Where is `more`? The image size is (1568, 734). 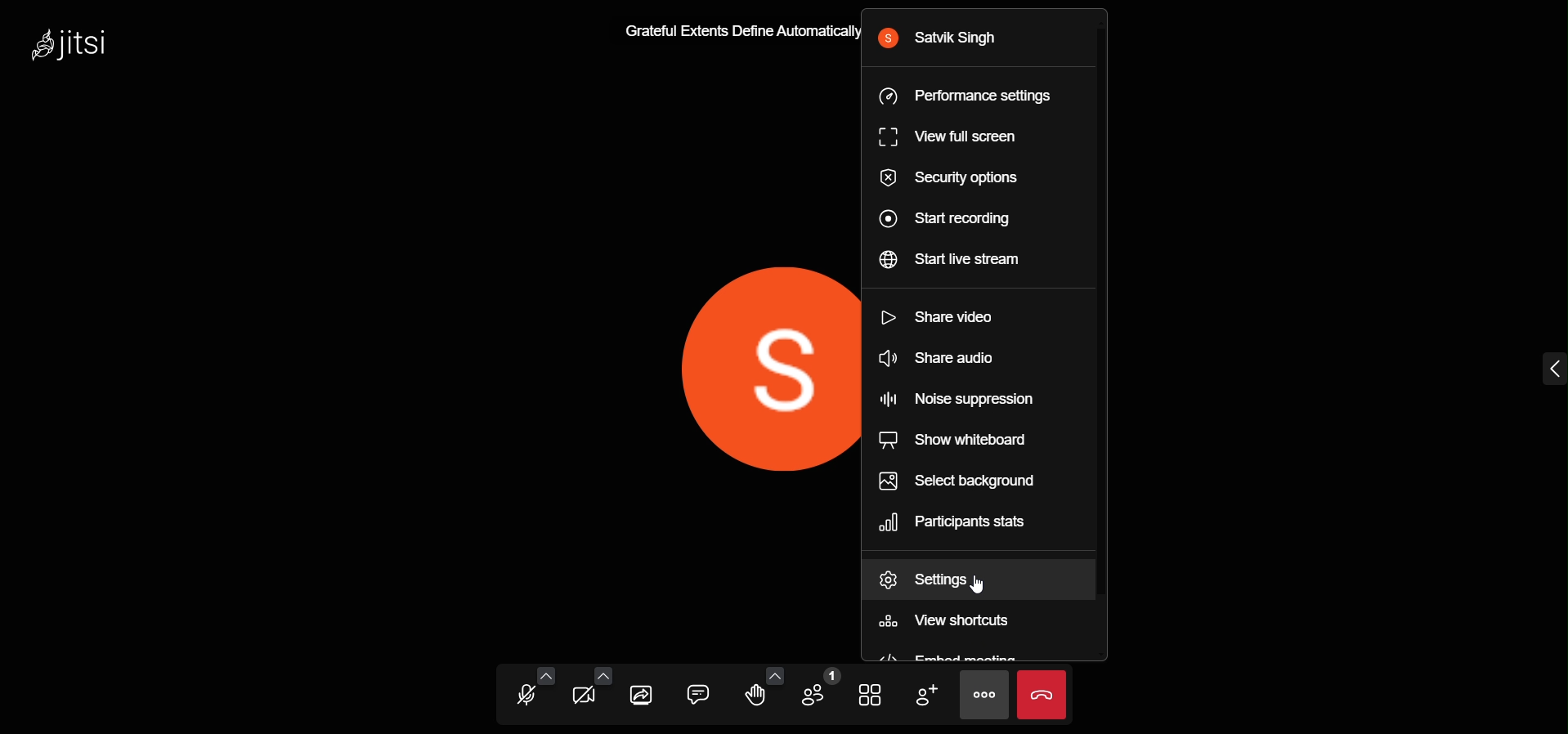 more is located at coordinates (983, 696).